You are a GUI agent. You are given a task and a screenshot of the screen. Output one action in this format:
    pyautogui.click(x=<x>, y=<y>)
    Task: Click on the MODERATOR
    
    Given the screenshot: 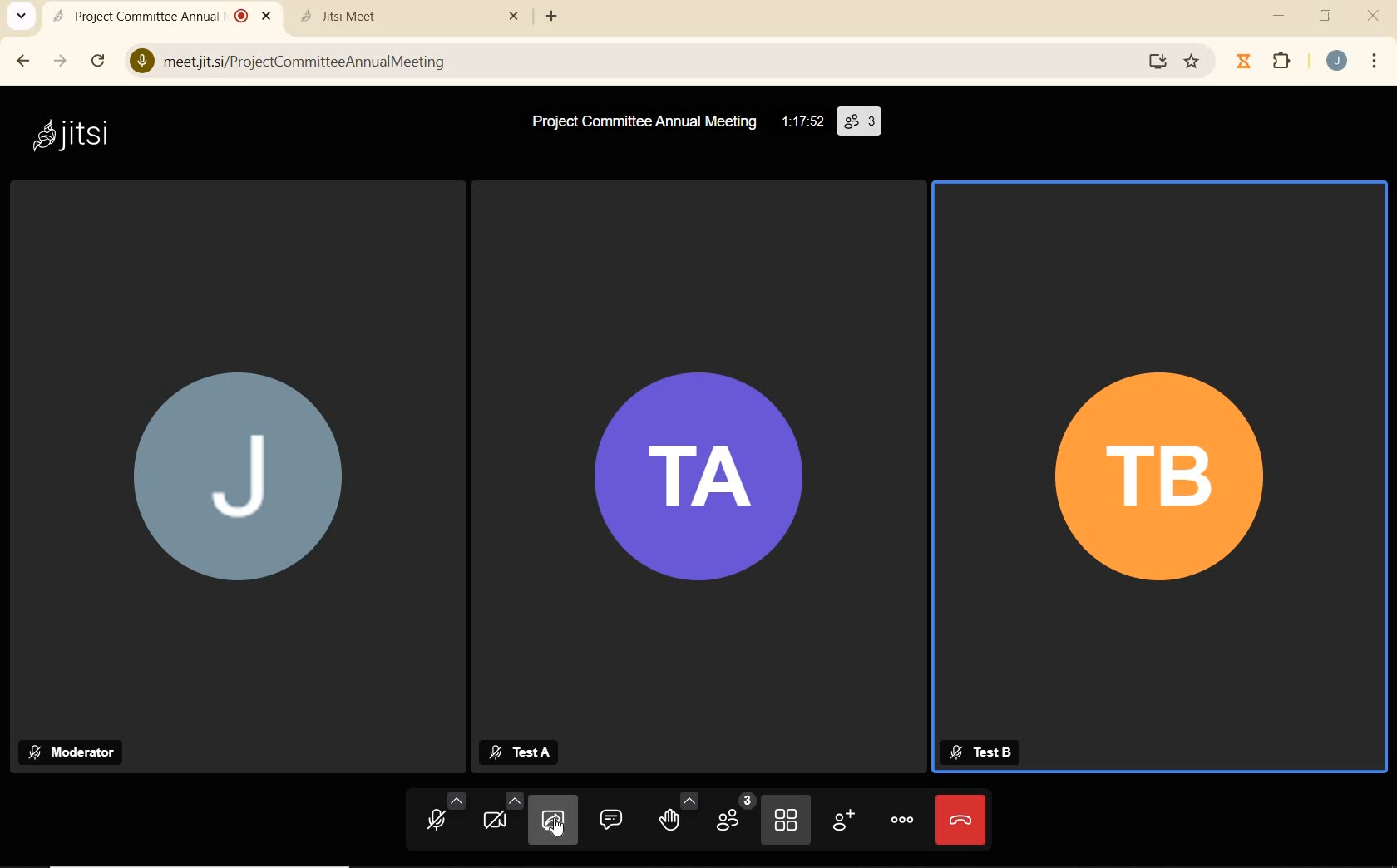 What is the action you would take?
    pyautogui.click(x=77, y=752)
    